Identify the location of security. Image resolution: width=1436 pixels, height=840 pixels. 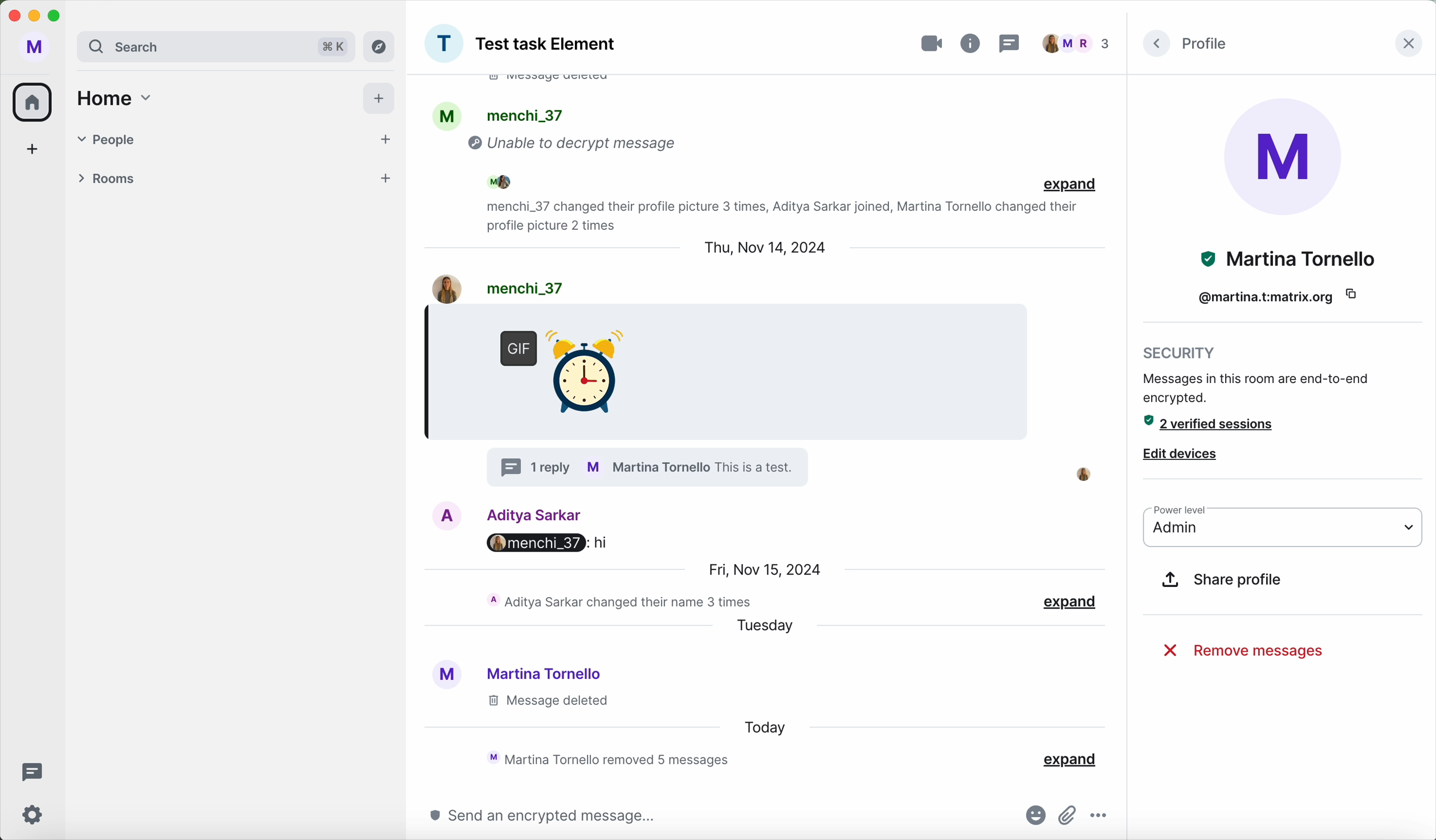
(1258, 375).